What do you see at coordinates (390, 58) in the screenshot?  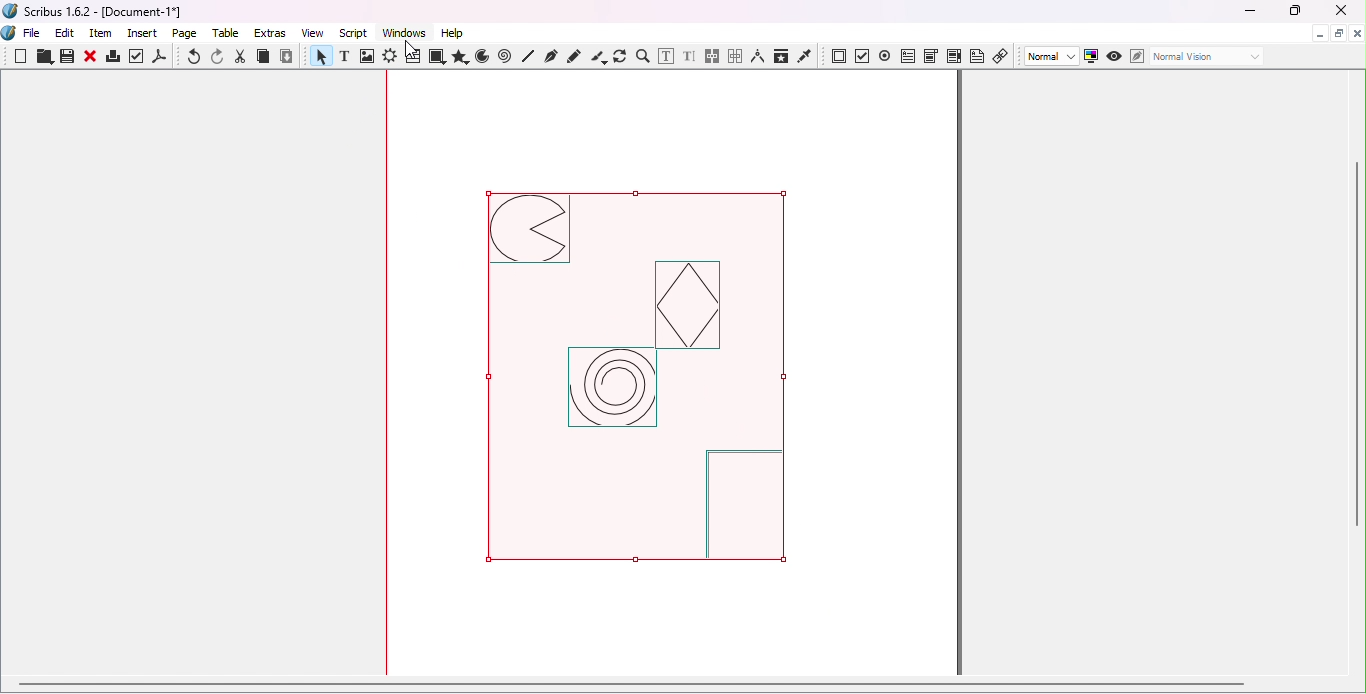 I see `Render frame` at bounding box center [390, 58].